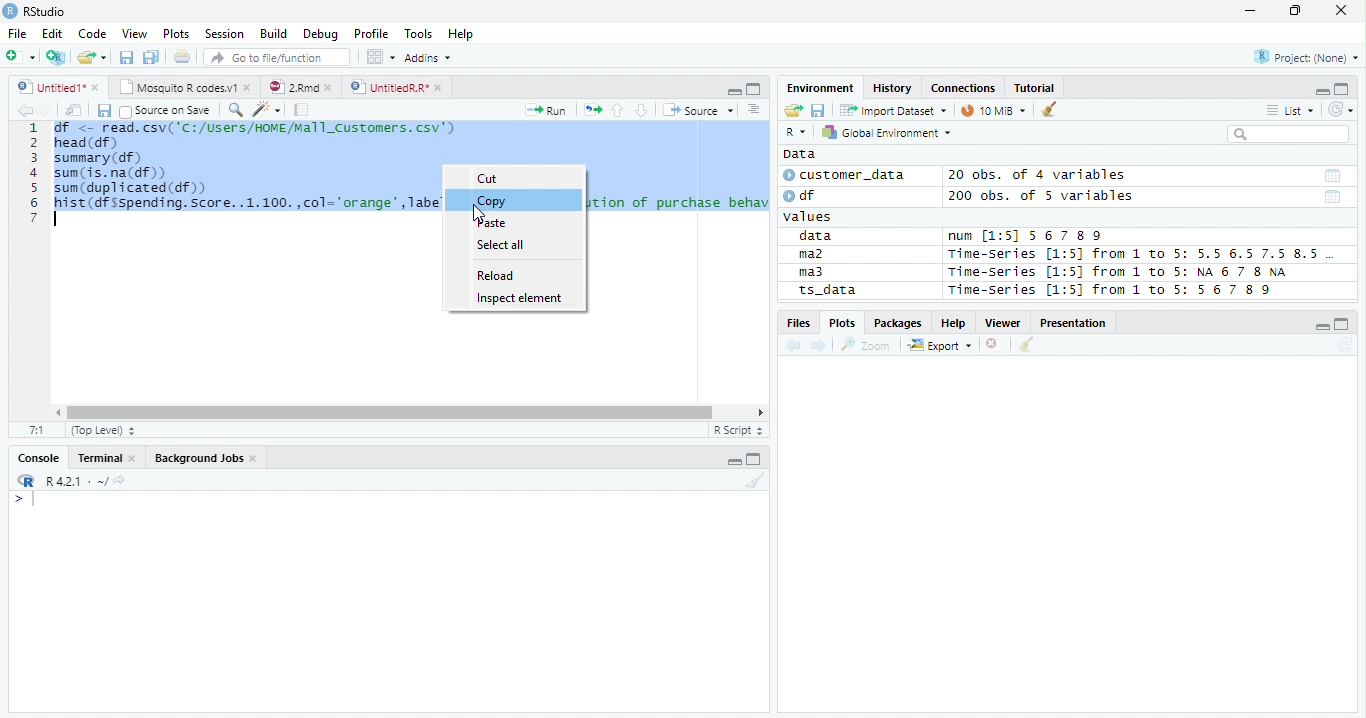 The image size is (1366, 718). I want to click on Time-Series [1:5] from 1 to 5: 56 7 8 9, so click(1112, 290).